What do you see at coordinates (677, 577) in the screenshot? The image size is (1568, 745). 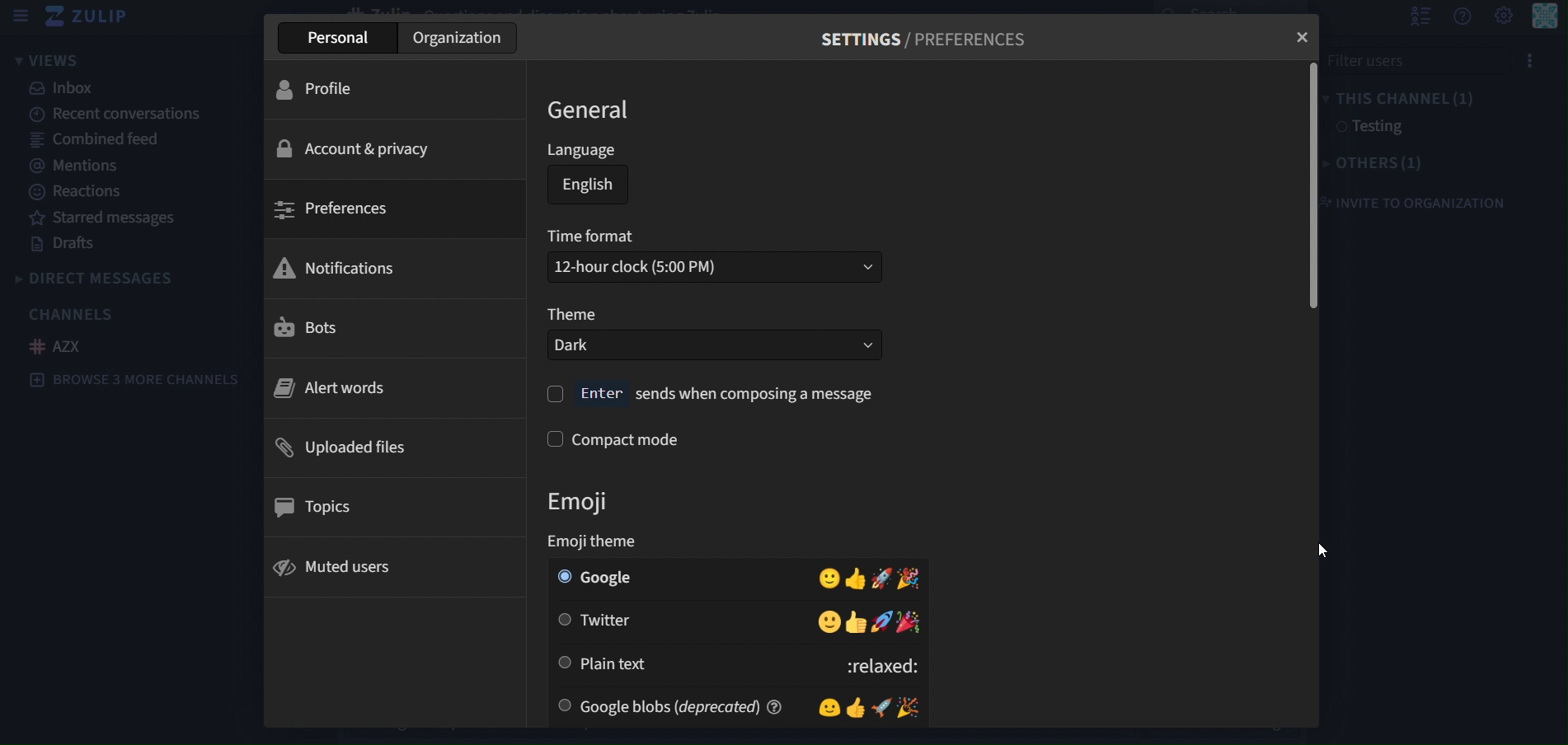 I see `google` at bounding box center [677, 577].